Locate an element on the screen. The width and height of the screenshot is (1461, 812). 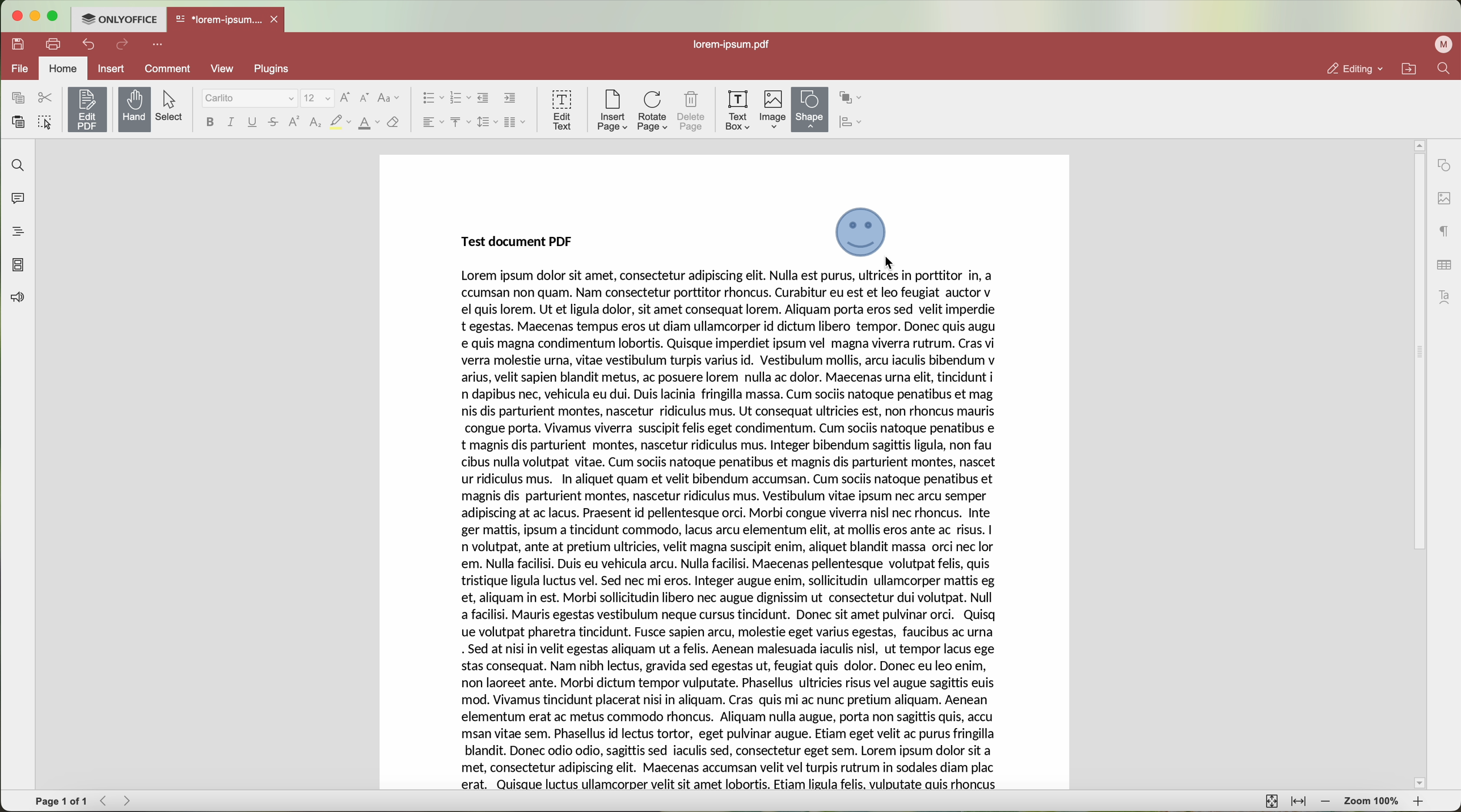
customize quick access toolbar is located at coordinates (160, 45).